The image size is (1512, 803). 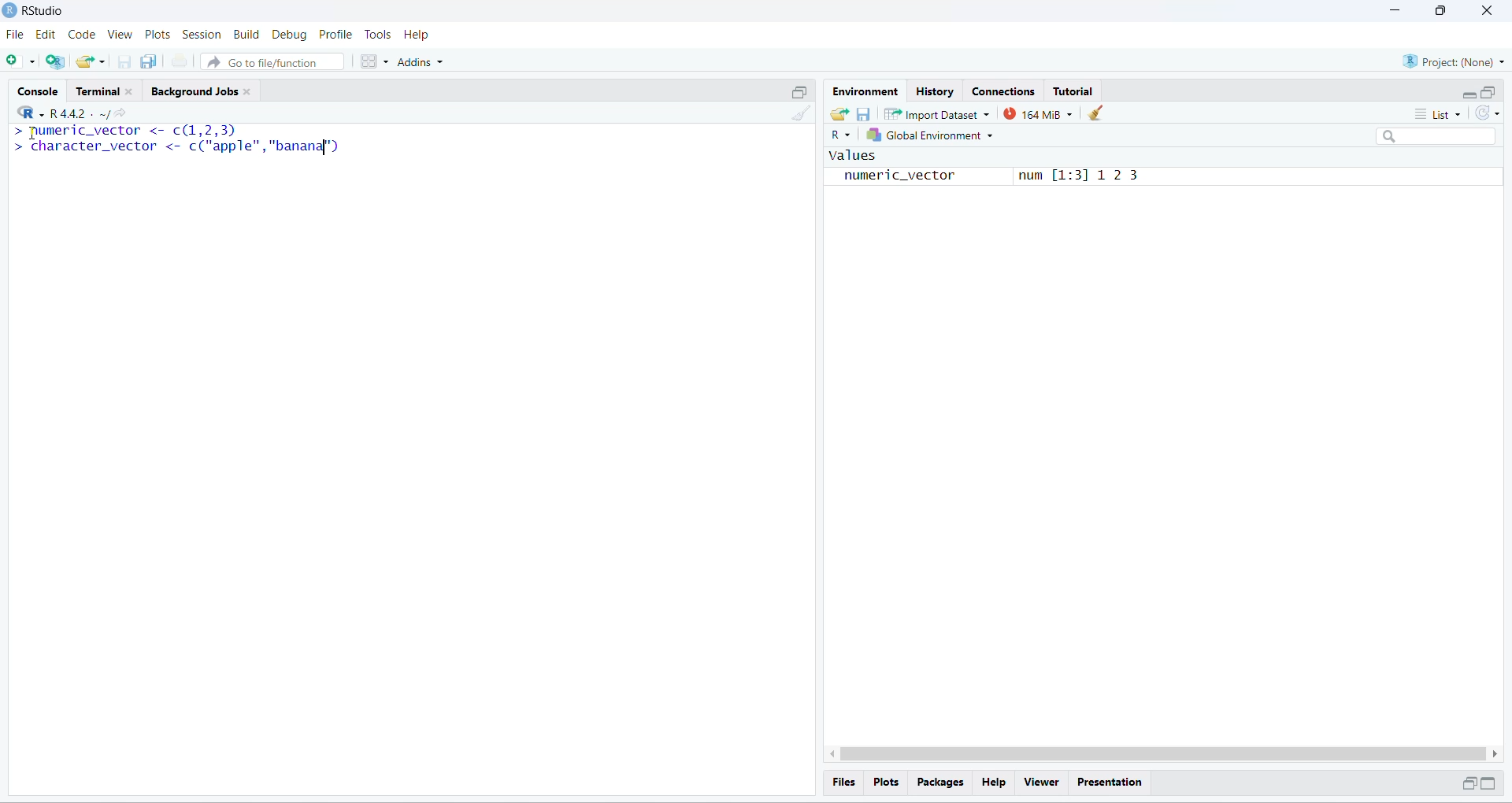 I want to click on Import Dataset, so click(x=936, y=114).